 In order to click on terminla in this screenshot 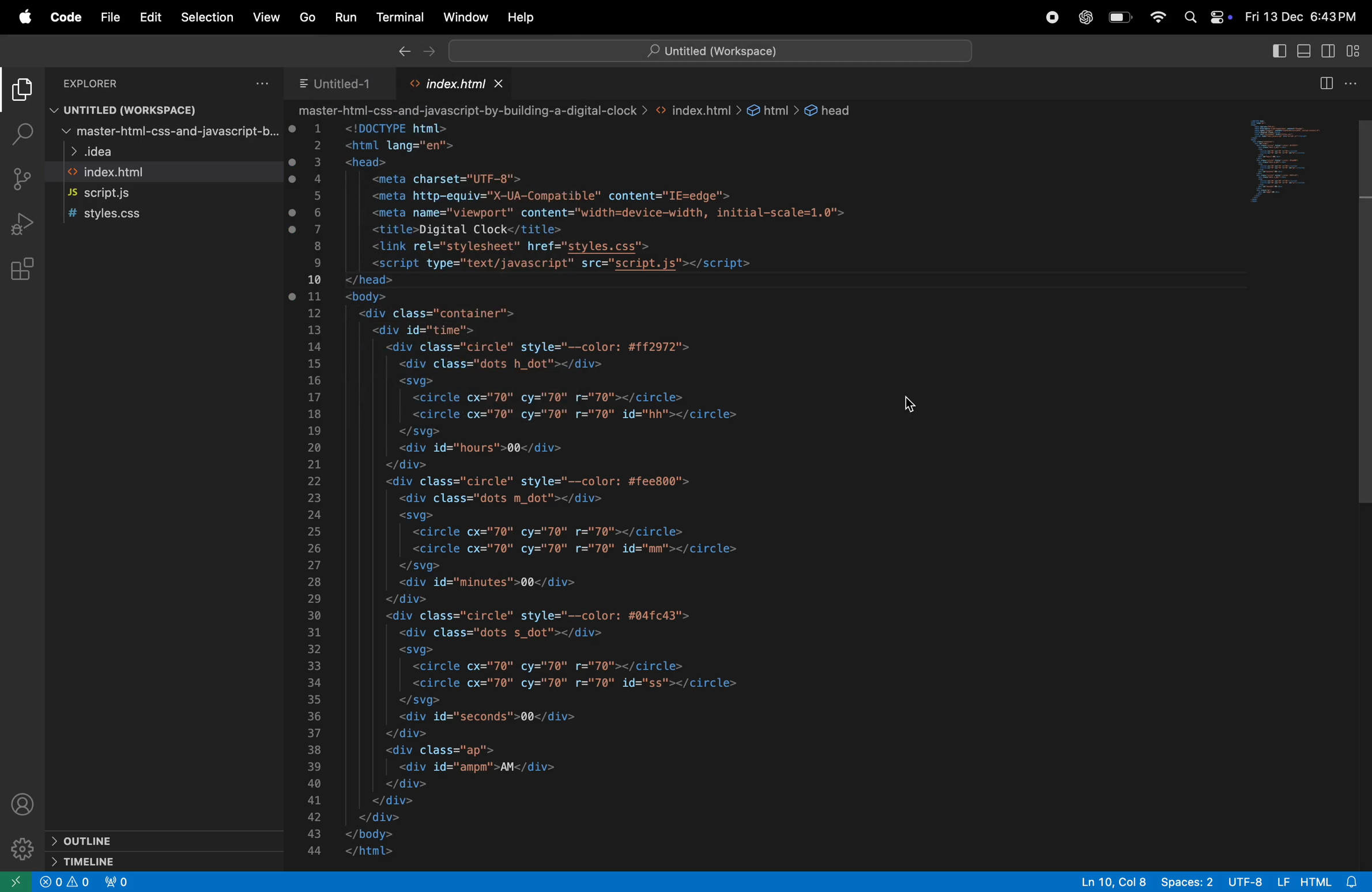, I will do `click(398, 17)`.